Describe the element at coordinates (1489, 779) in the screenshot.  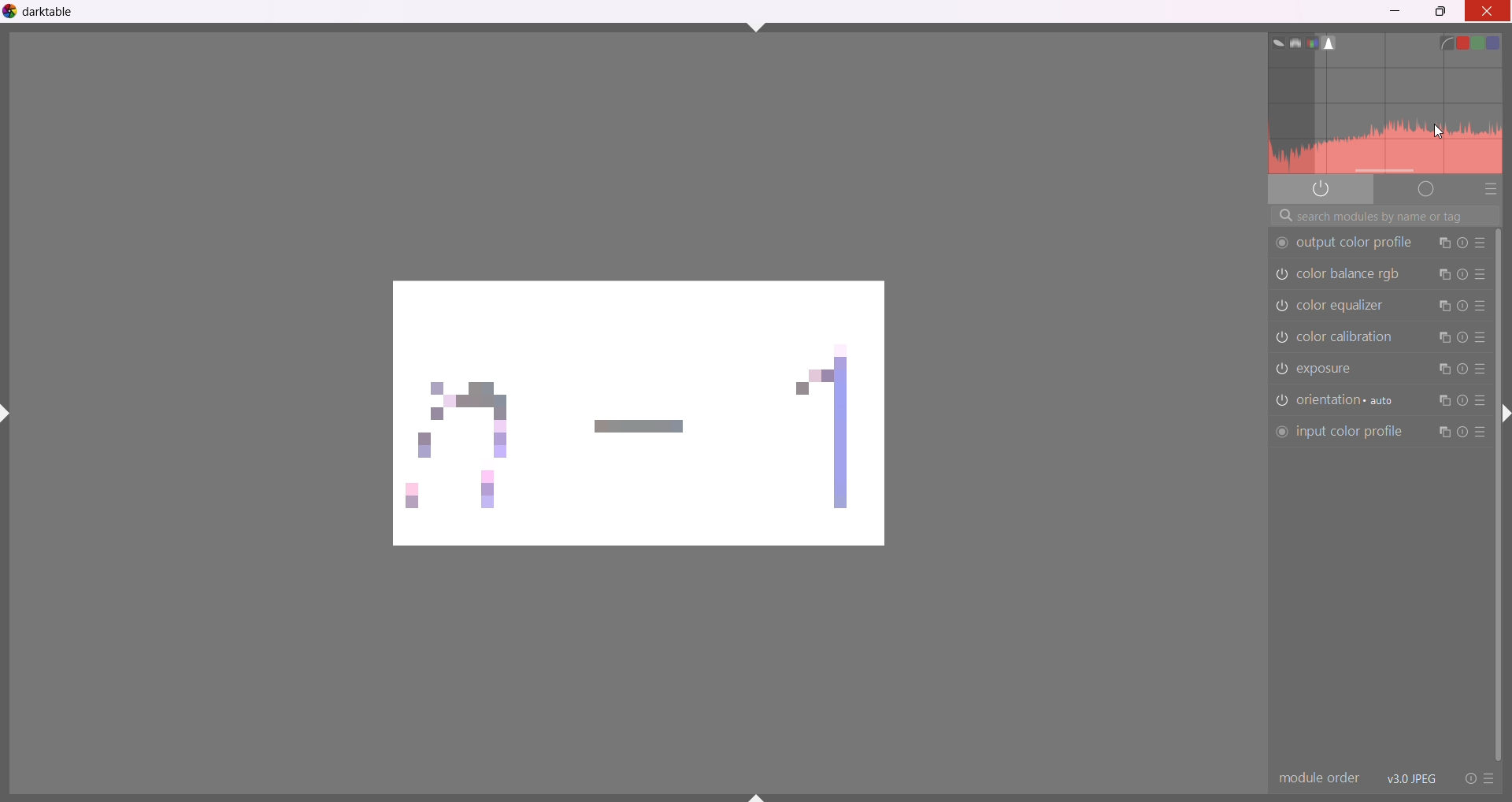
I see `preset` at that location.